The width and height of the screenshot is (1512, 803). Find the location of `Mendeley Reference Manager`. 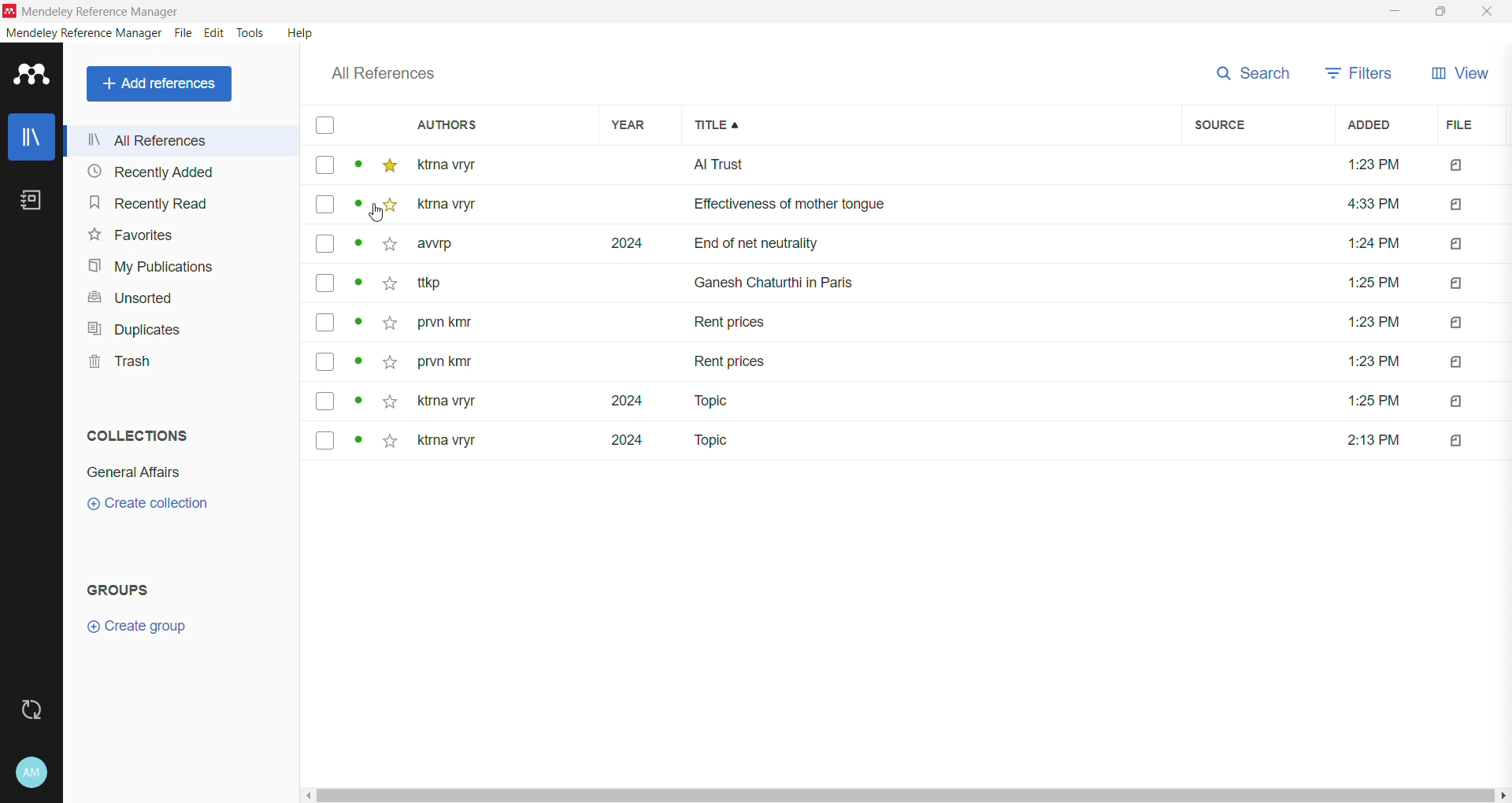

Mendeley Reference Manager is located at coordinates (83, 33).